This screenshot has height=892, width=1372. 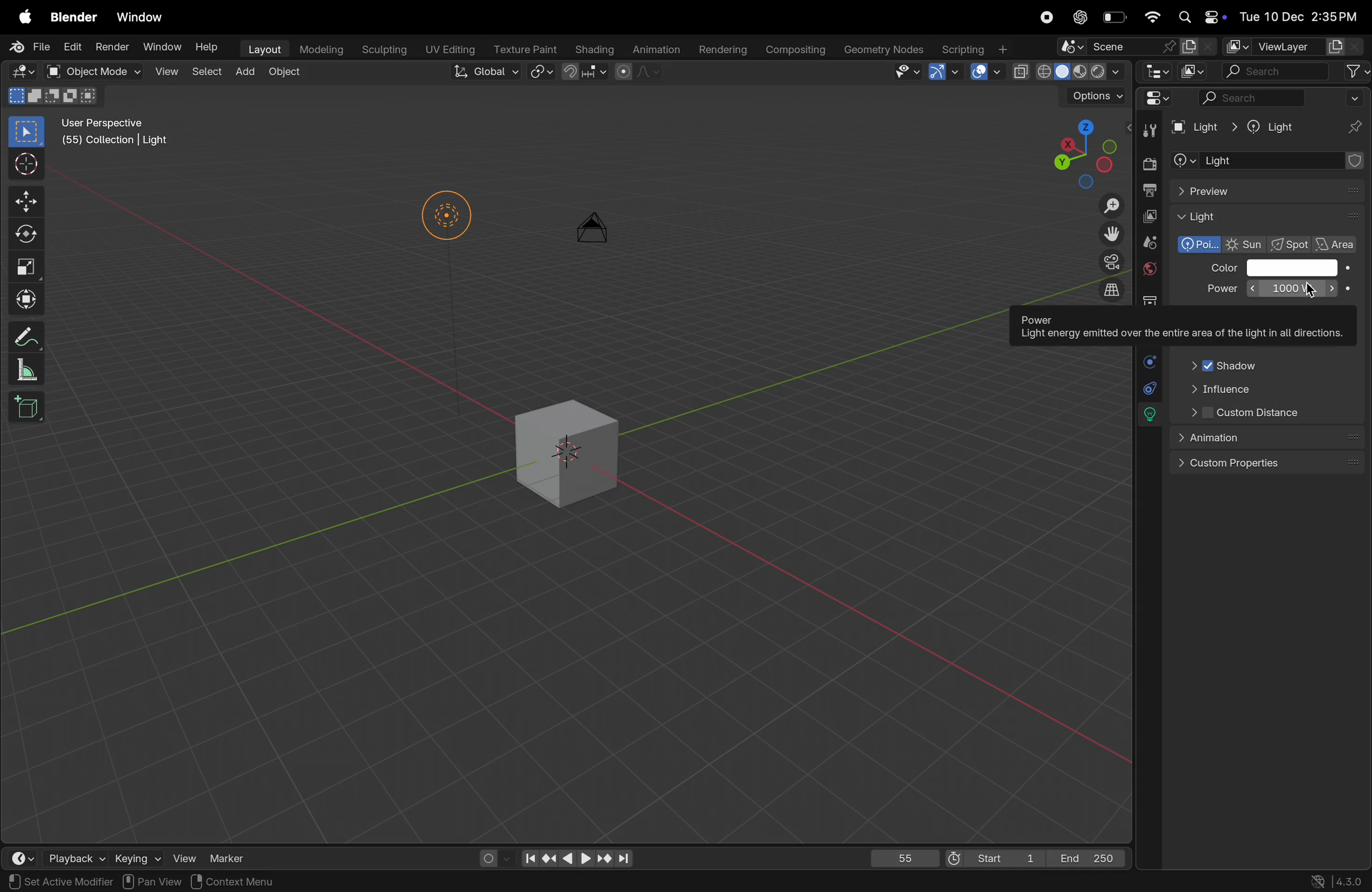 I want to click on physics, so click(x=1146, y=362).